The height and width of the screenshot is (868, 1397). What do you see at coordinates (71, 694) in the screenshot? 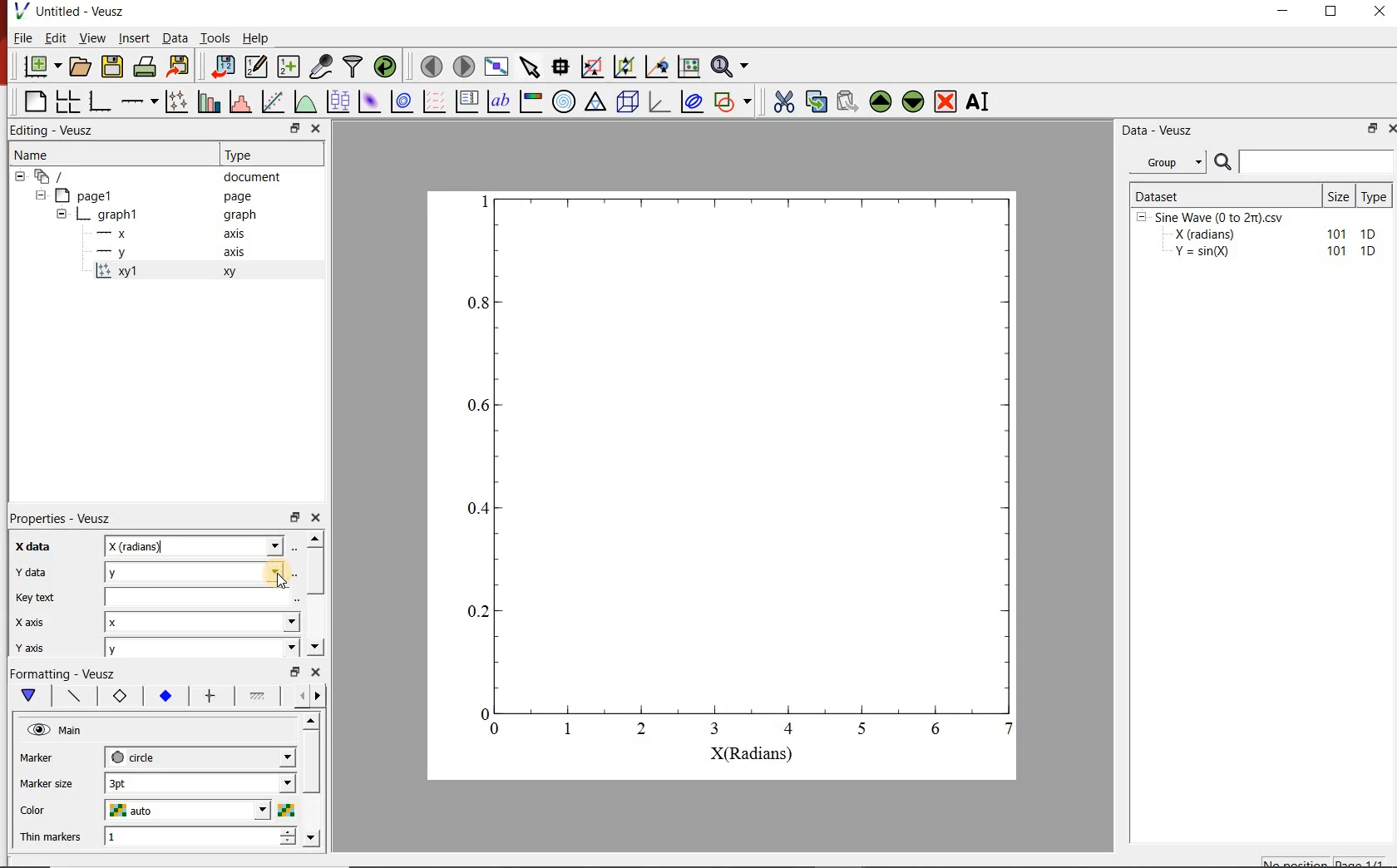
I see `options` at bounding box center [71, 694].